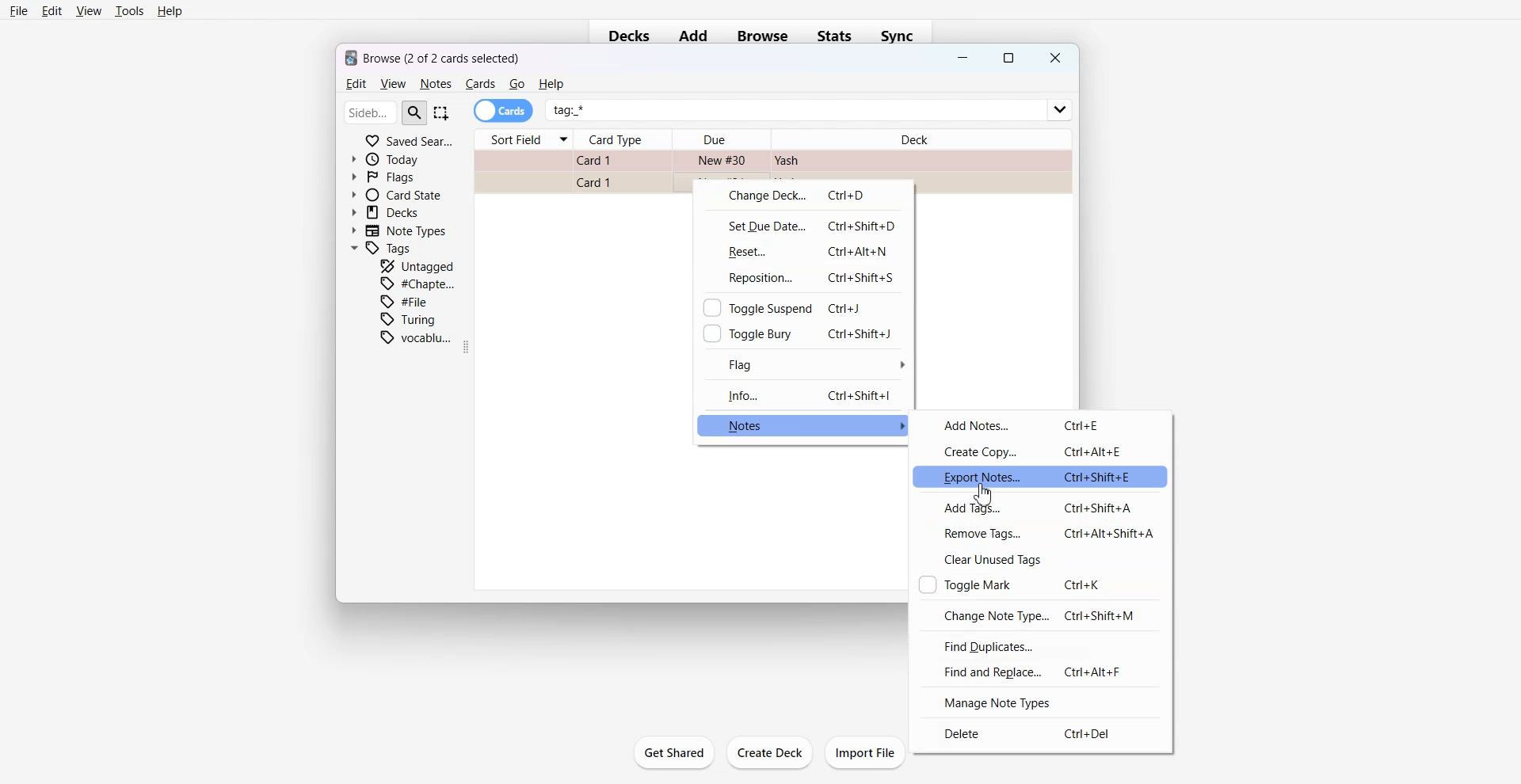  I want to click on Set Due date, so click(803, 225).